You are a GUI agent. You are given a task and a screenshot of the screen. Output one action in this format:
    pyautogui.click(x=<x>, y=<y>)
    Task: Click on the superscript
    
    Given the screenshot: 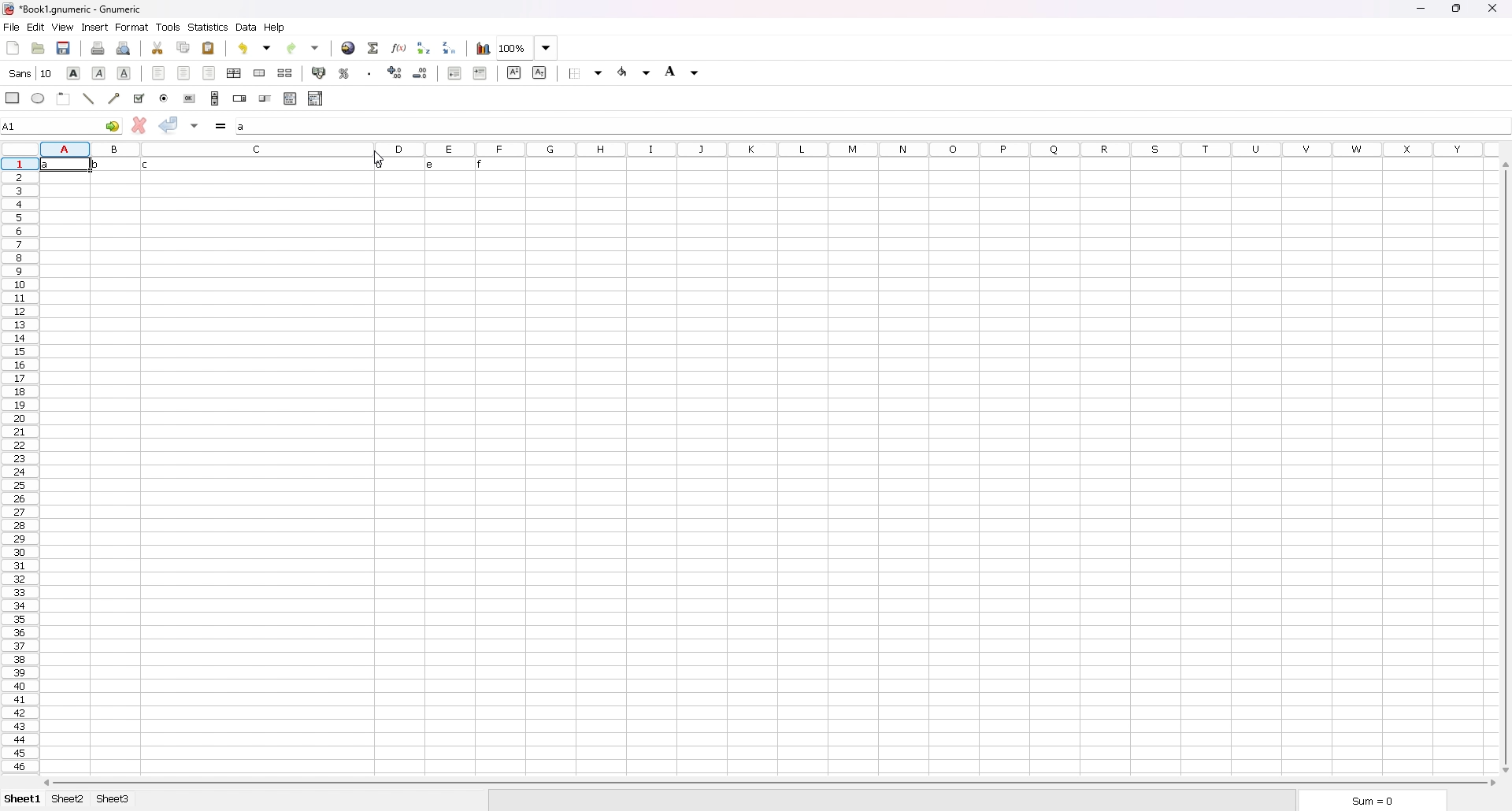 What is the action you would take?
    pyautogui.click(x=513, y=72)
    